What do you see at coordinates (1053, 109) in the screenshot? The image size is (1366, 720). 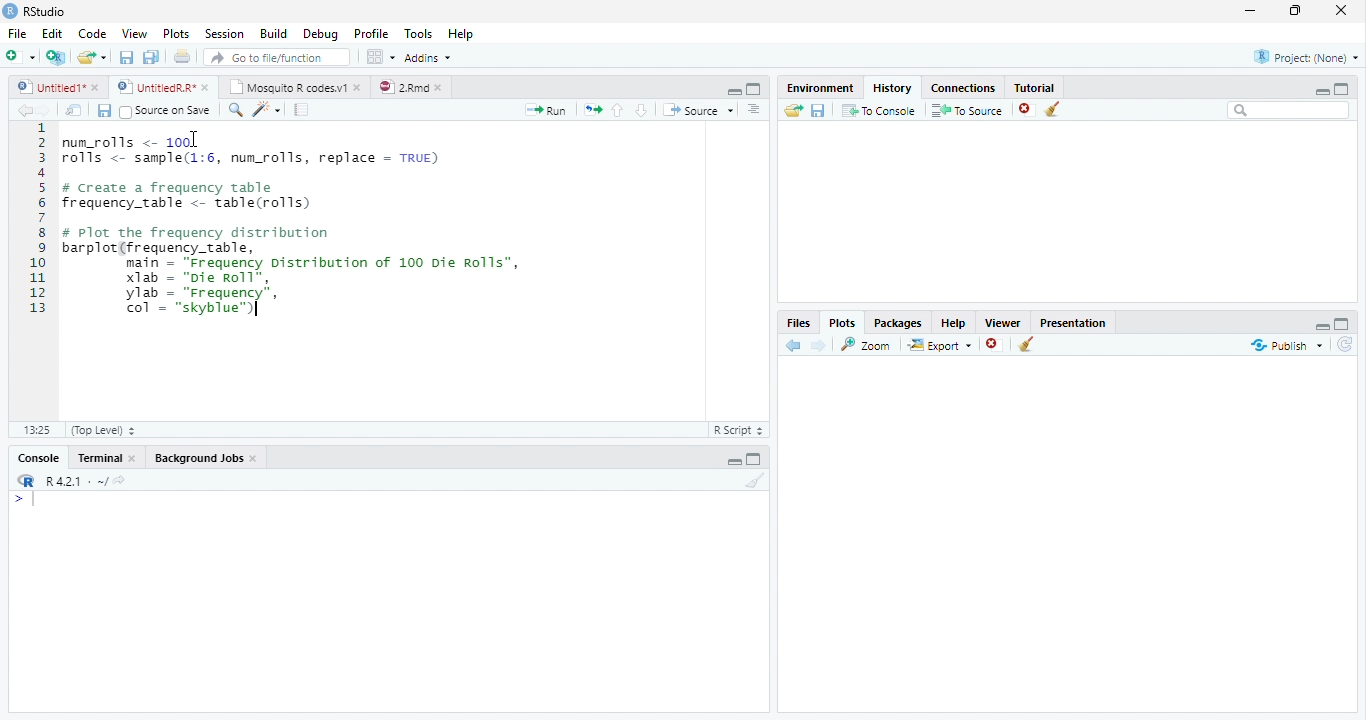 I see `Clear` at bounding box center [1053, 109].